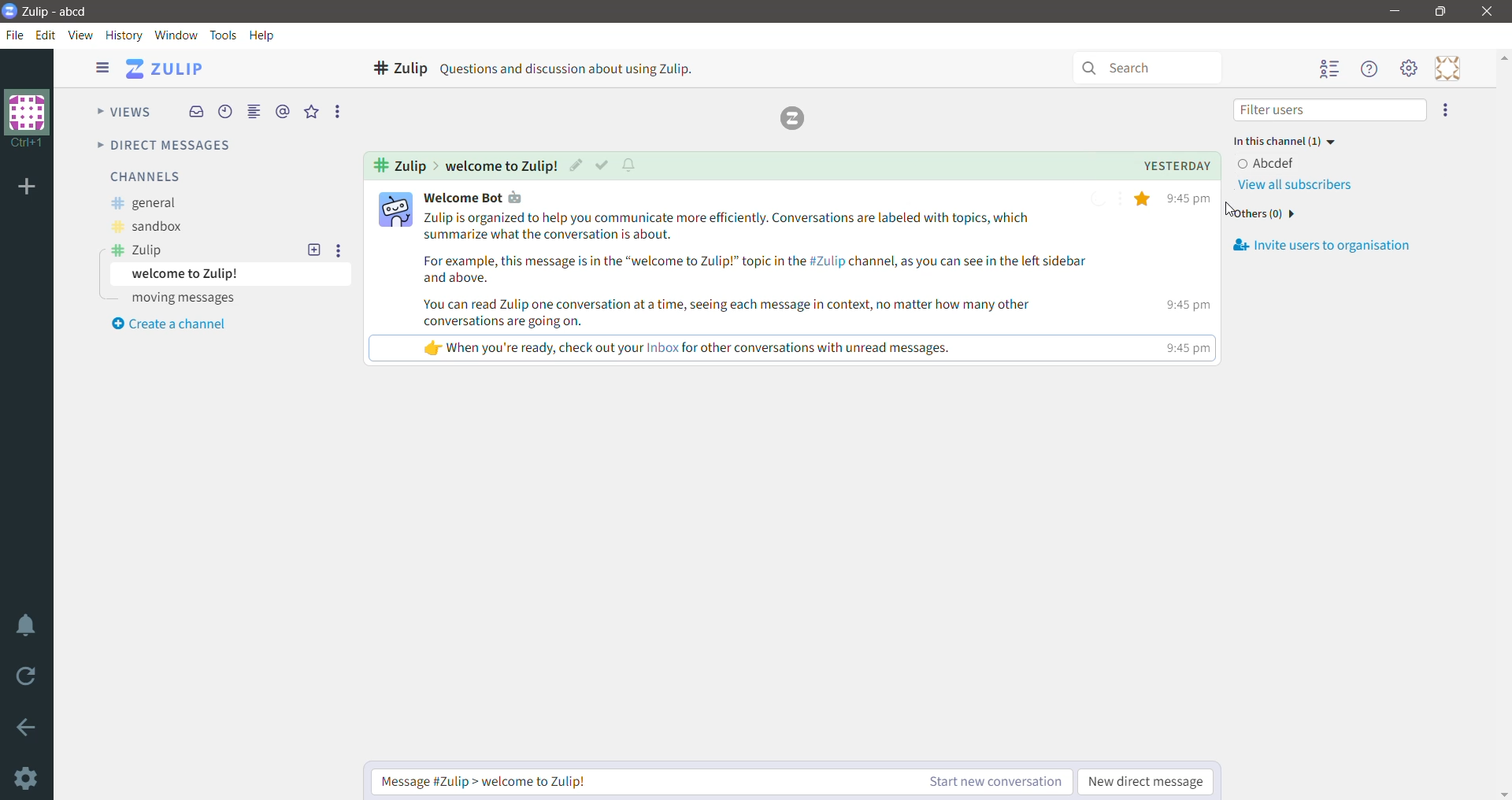 The image size is (1512, 800). What do you see at coordinates (1372, 69) in the screenshot?
I see `Help Menu` at bounding box center [1372, 69].